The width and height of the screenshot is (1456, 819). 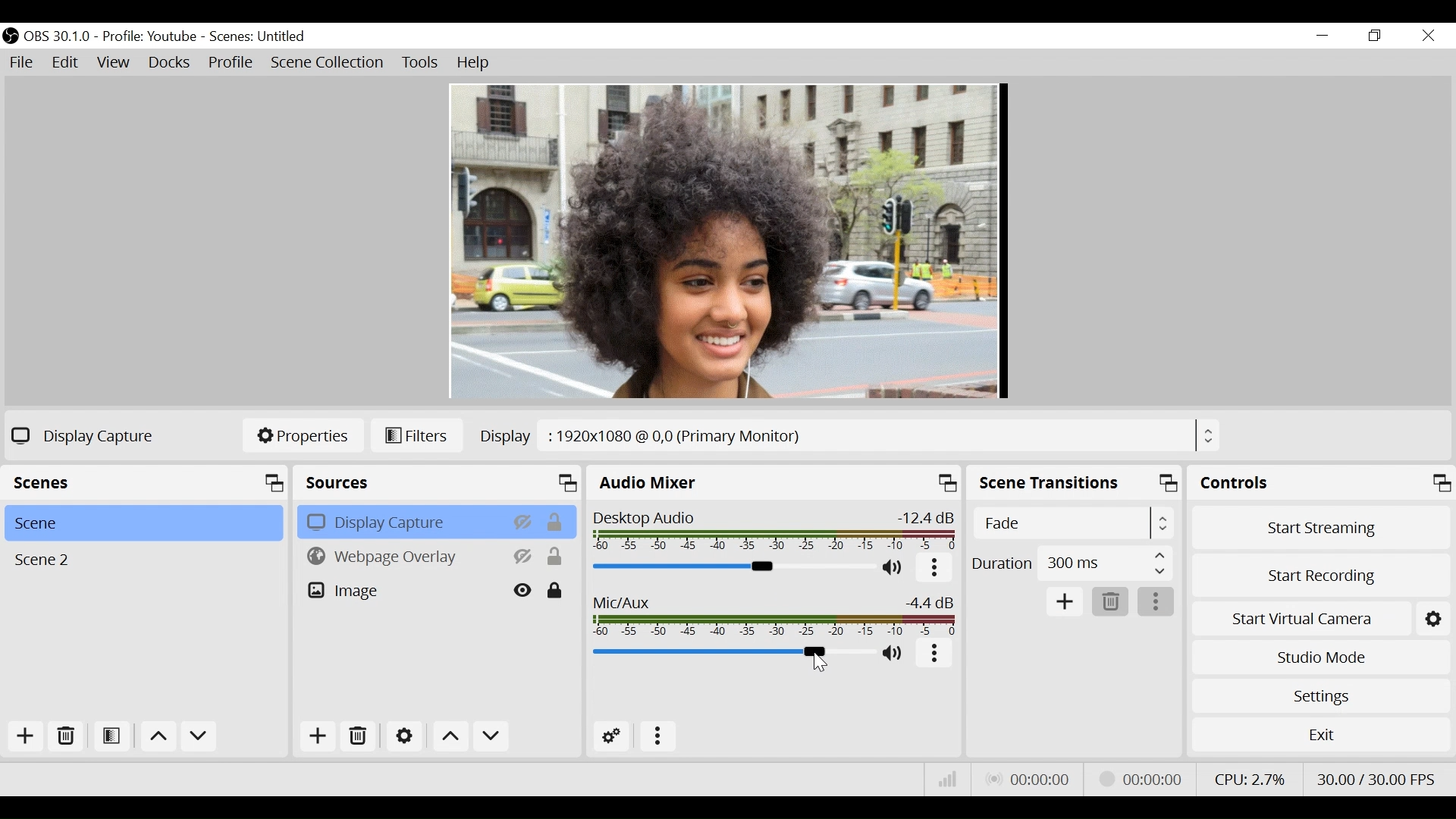 What do you see at coordinates (318, 737) in the screenshot?
I see `Add` at bounding box center [318, 737].